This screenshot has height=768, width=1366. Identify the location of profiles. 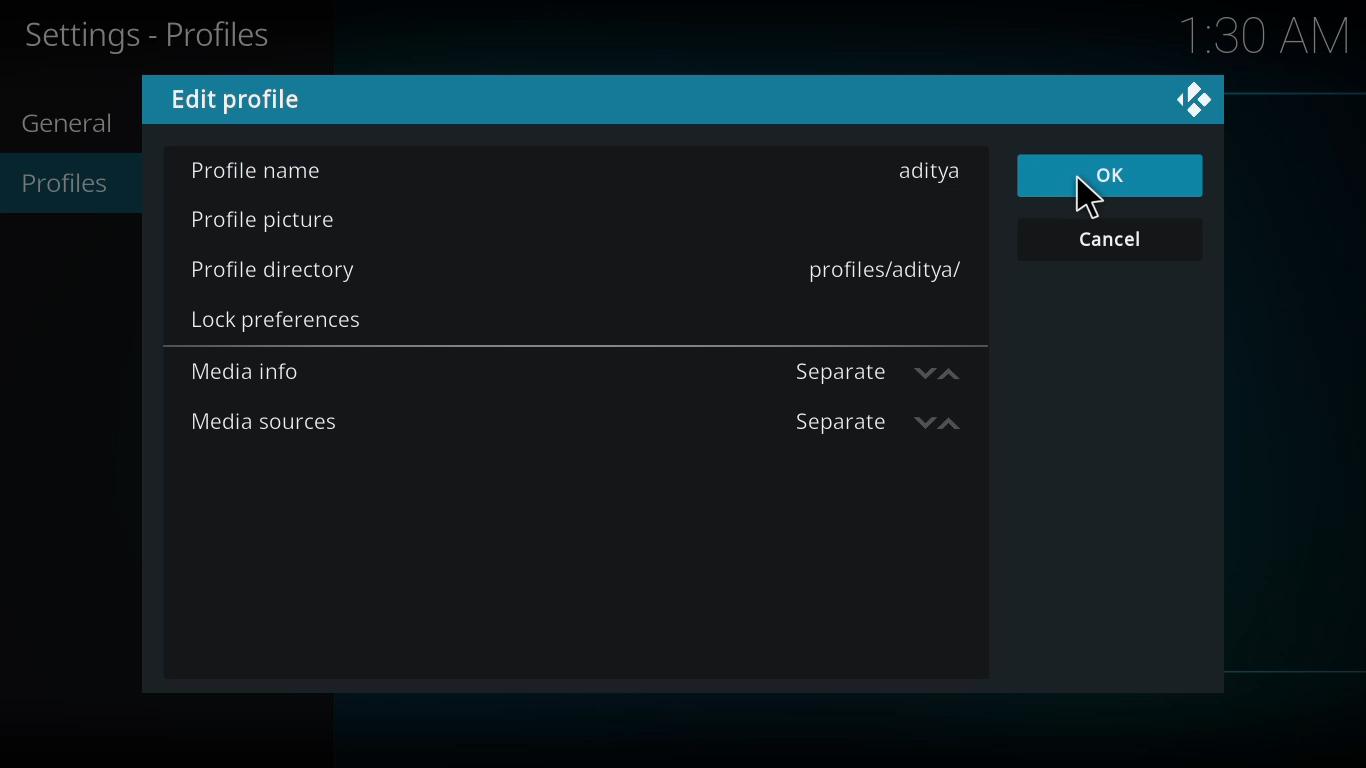
(77, 183).